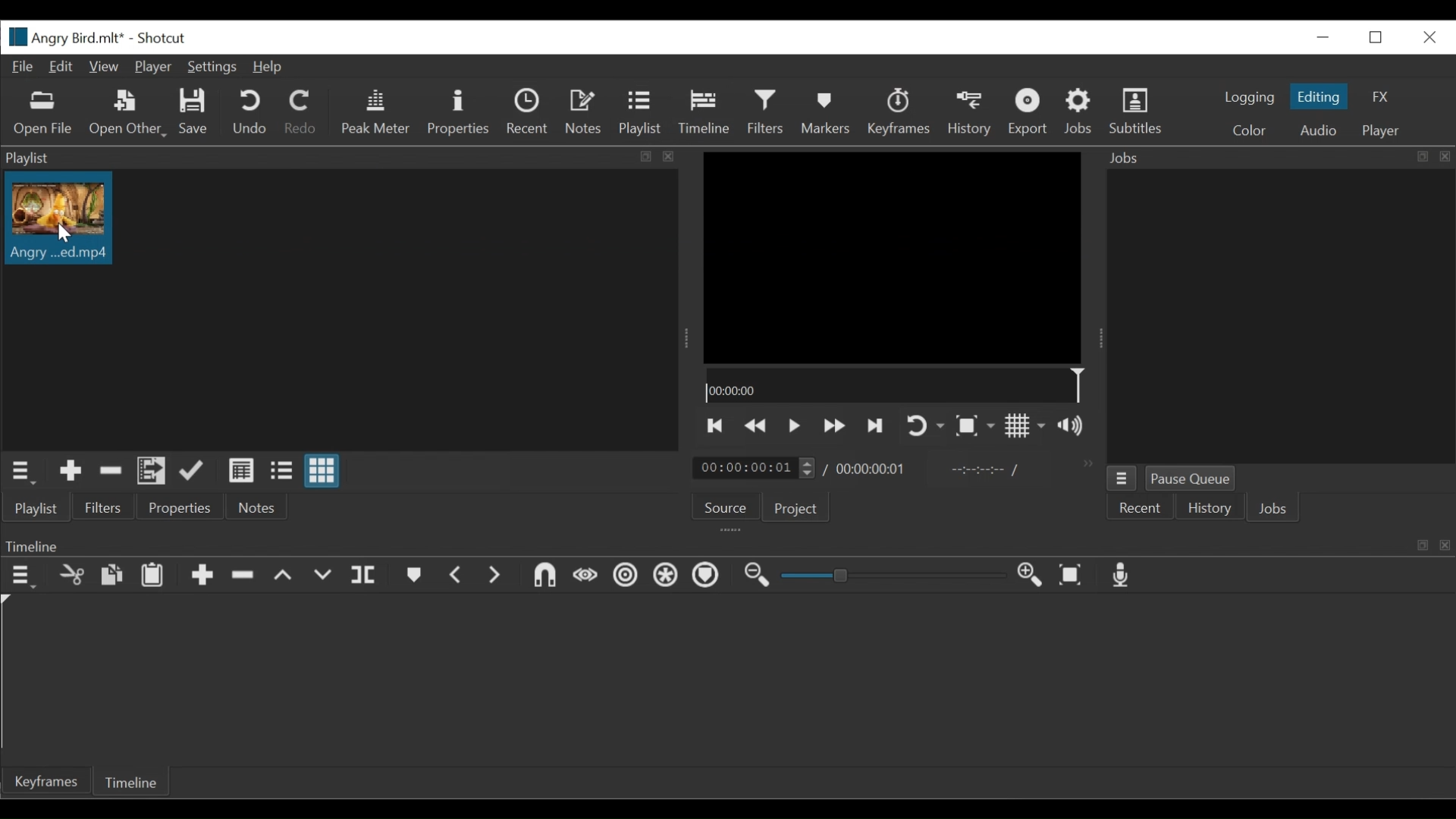 The image size is (1456, 819). What do you see at coordinates (898, 112) in the screenshot?
I see `keyframes` at bounding box center [898, 112].